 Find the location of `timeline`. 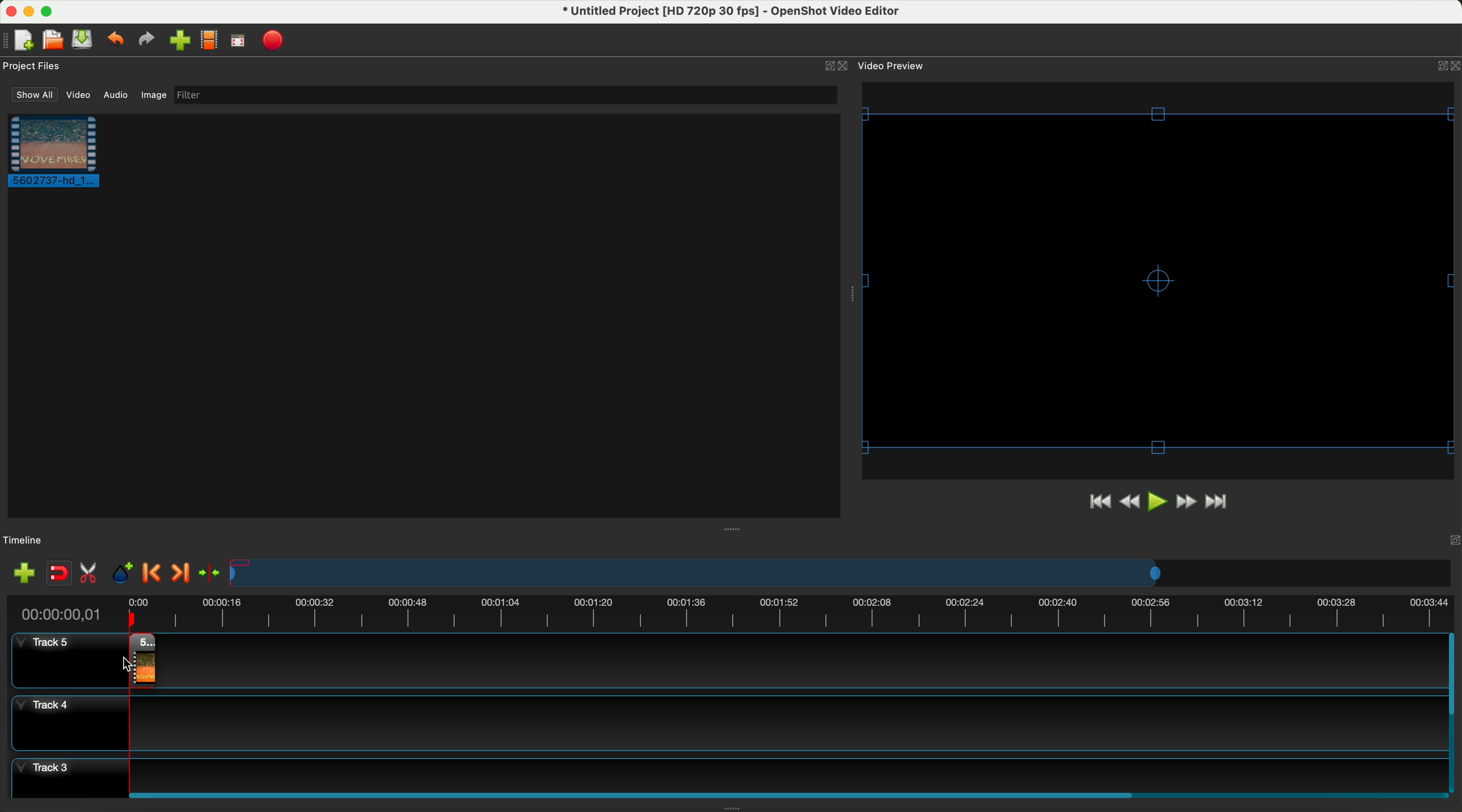

timeline is located at coordinates (734, 613).